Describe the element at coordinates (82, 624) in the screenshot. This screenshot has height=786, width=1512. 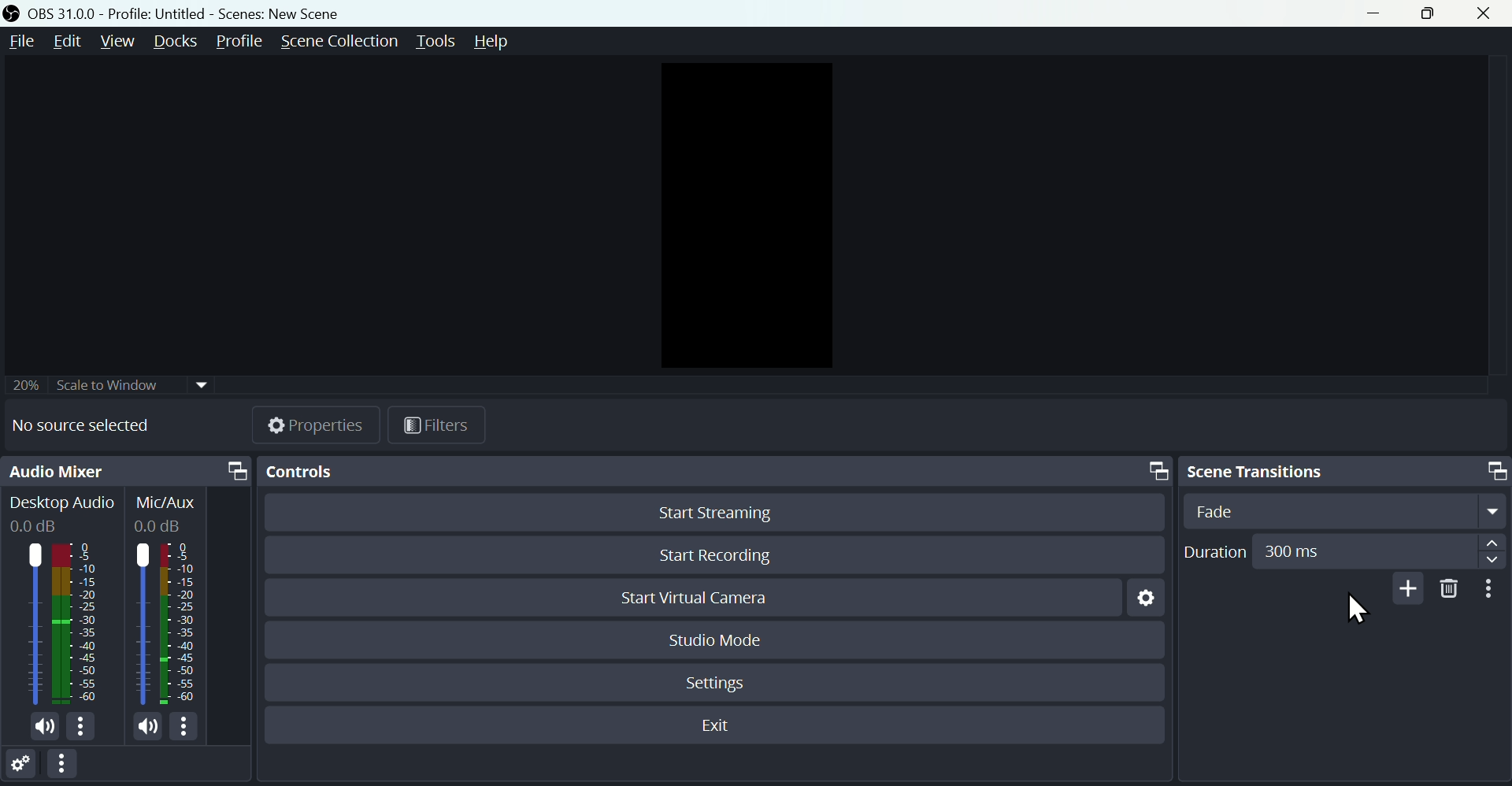
I see `Desktop Audio` at that location.